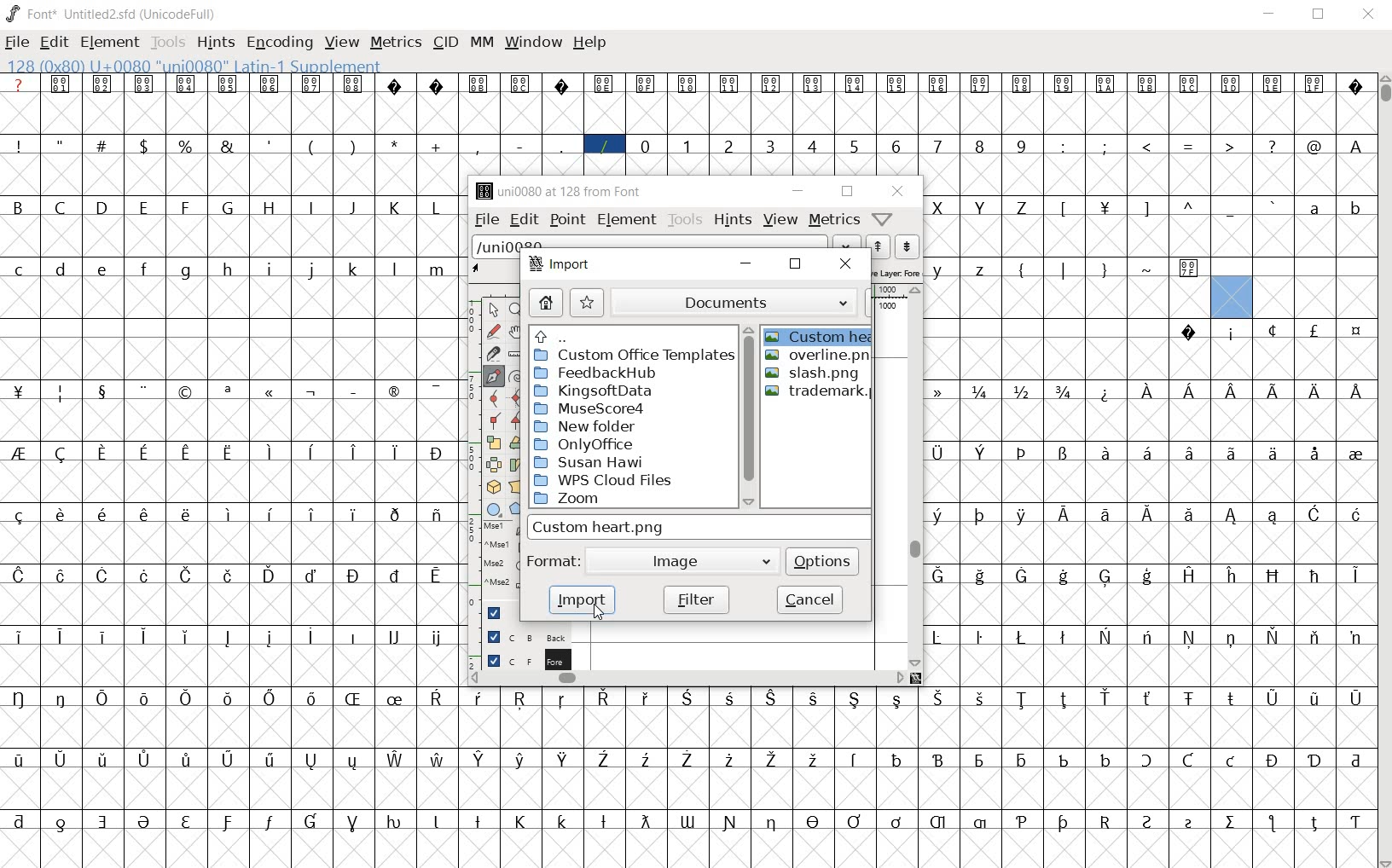  Describe the element at coordinates (809, 599) in the screenshot. I see `cancel` at that location.